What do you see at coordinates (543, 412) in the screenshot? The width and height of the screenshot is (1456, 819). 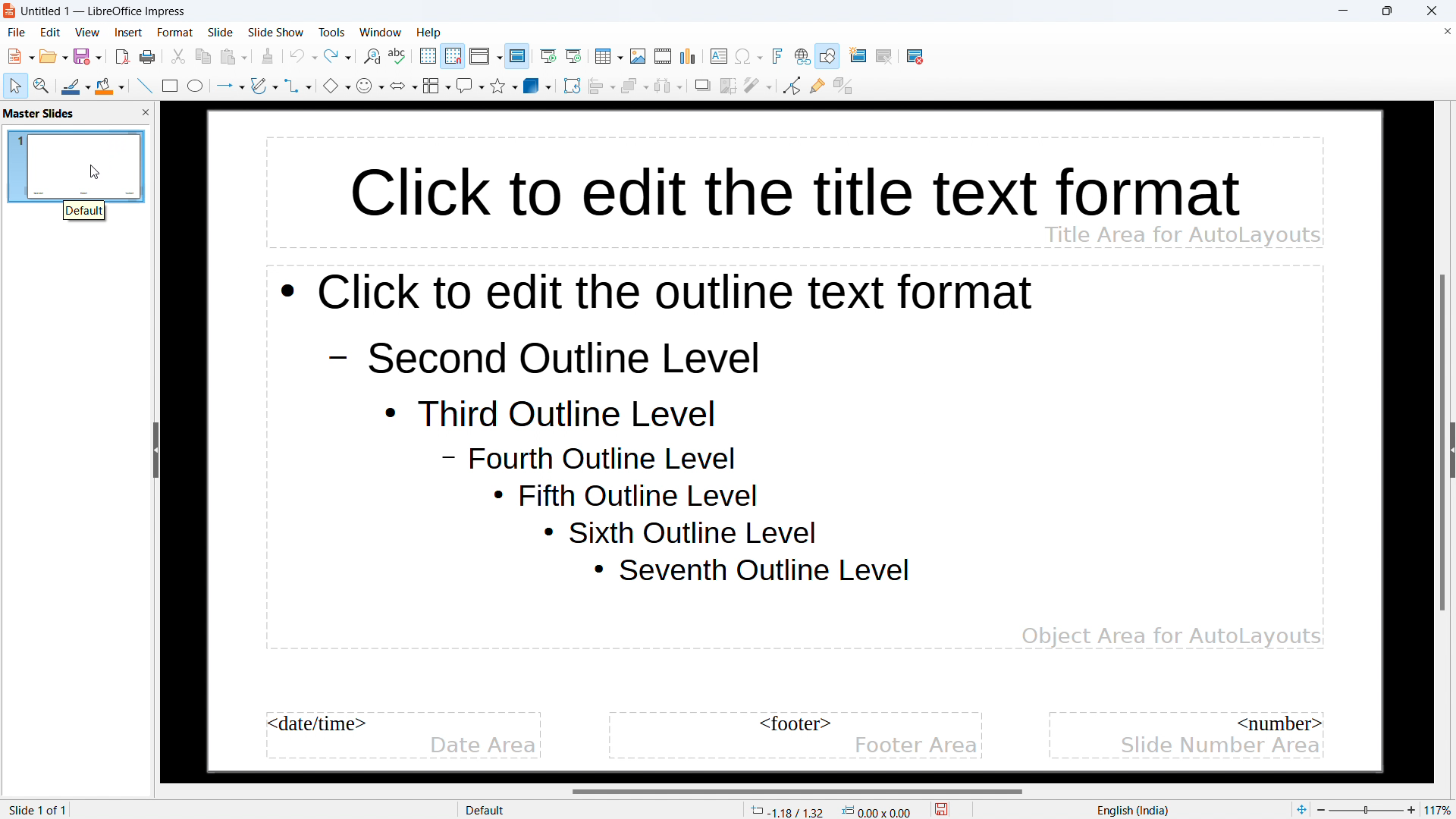 I see `Third outline level` at bounding box center [543, 412].